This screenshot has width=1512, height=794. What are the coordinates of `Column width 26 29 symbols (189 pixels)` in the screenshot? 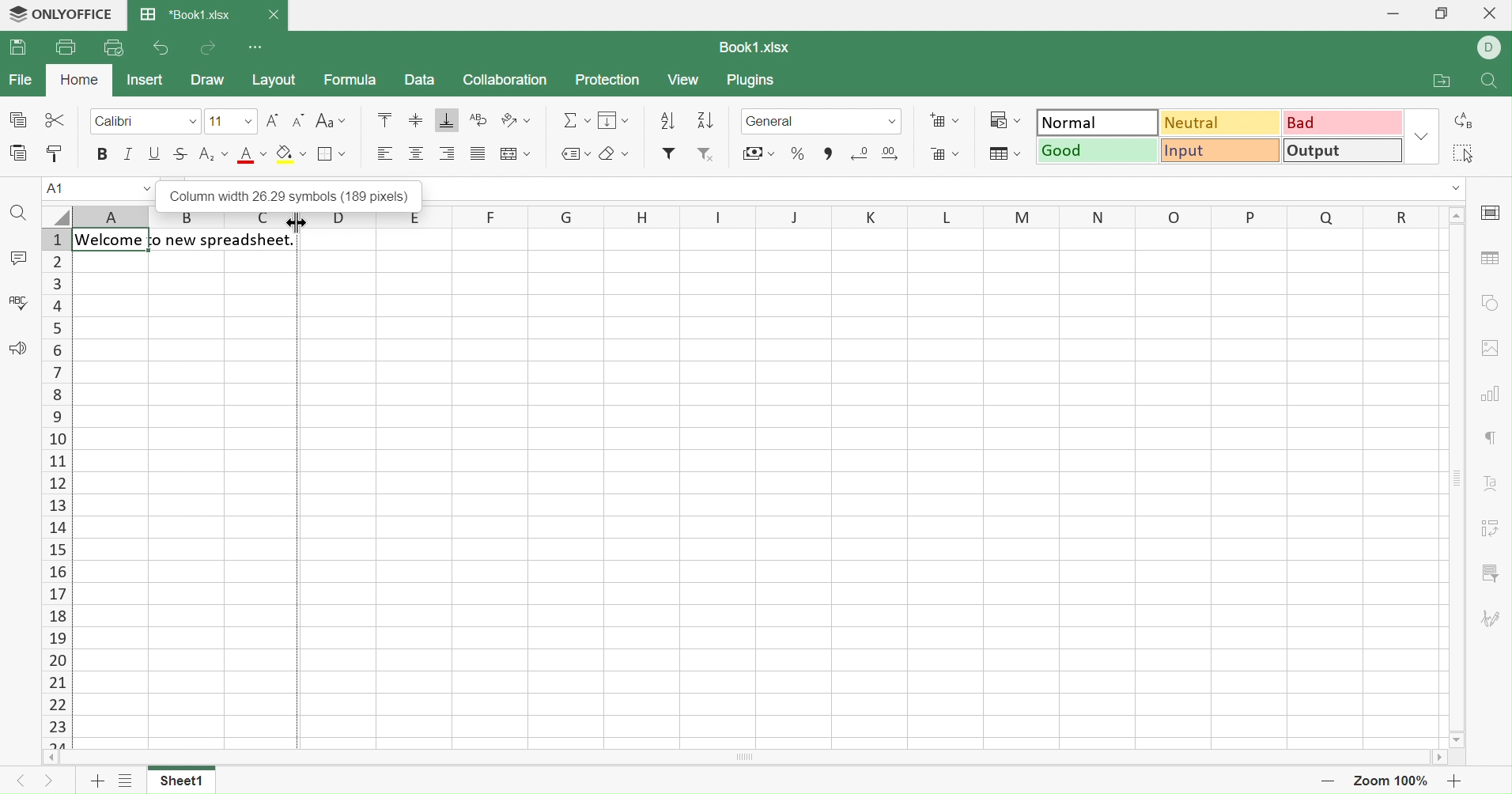 It's located at (284, 191).